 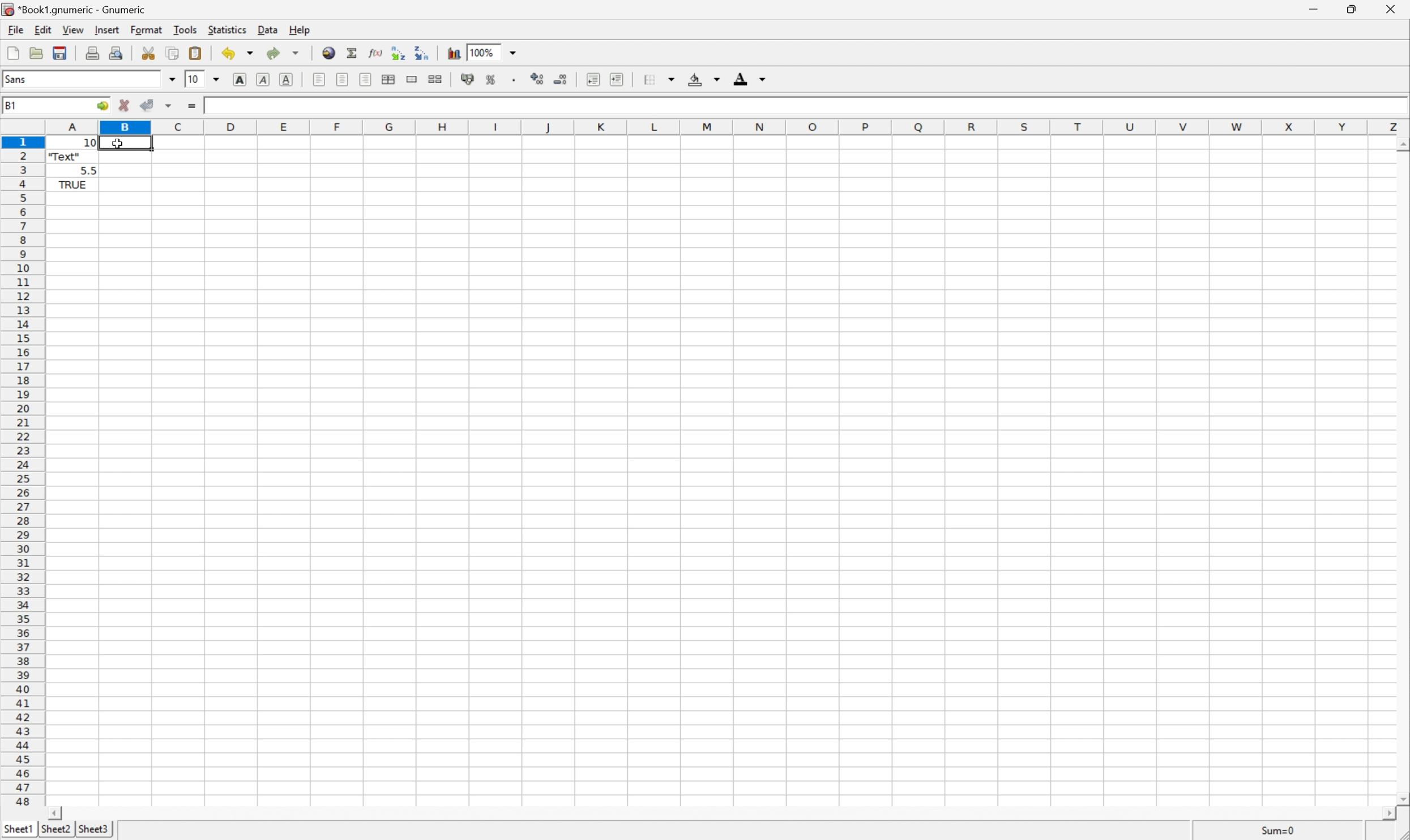 What do you see at coordinates (538, 79) in the screenshot?
I see `Increase number of decimals displayed` at bounding box center [538, 79].